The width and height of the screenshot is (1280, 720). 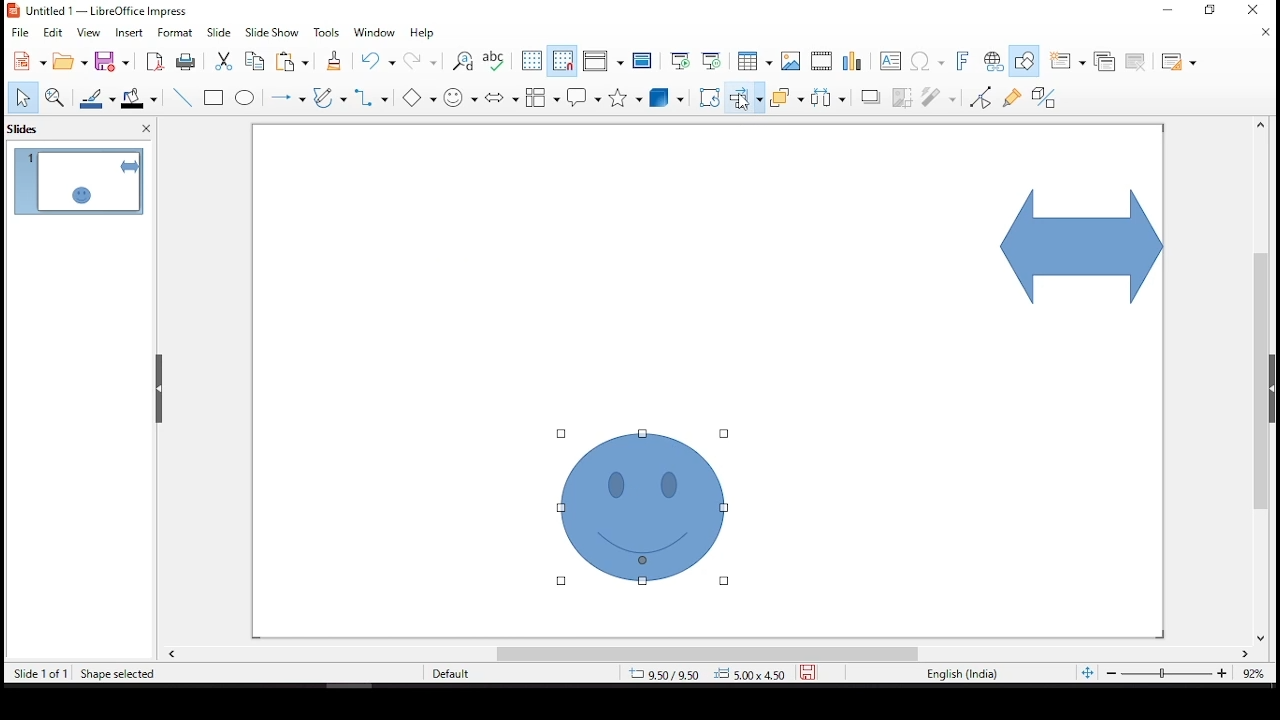 I want to click on open, so click(x=71, y=62).